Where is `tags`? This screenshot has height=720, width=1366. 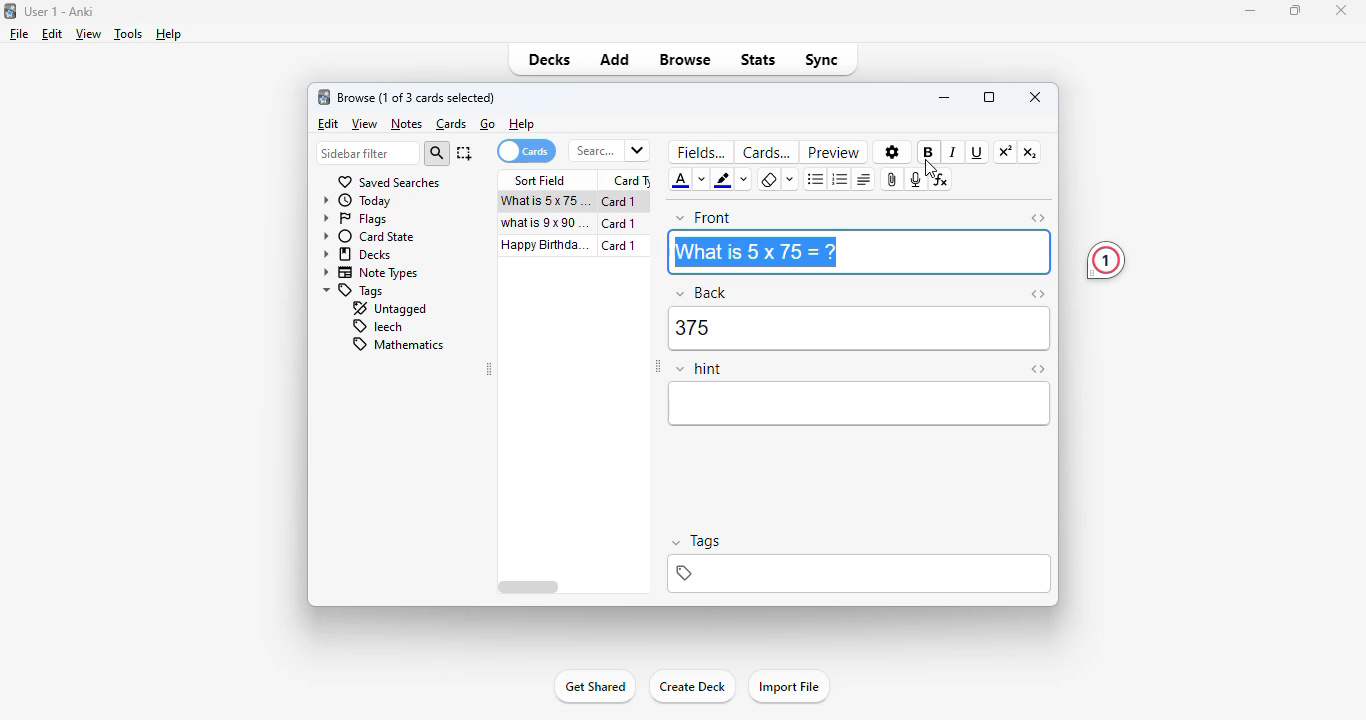
tags is located at coordinates (354, 292).